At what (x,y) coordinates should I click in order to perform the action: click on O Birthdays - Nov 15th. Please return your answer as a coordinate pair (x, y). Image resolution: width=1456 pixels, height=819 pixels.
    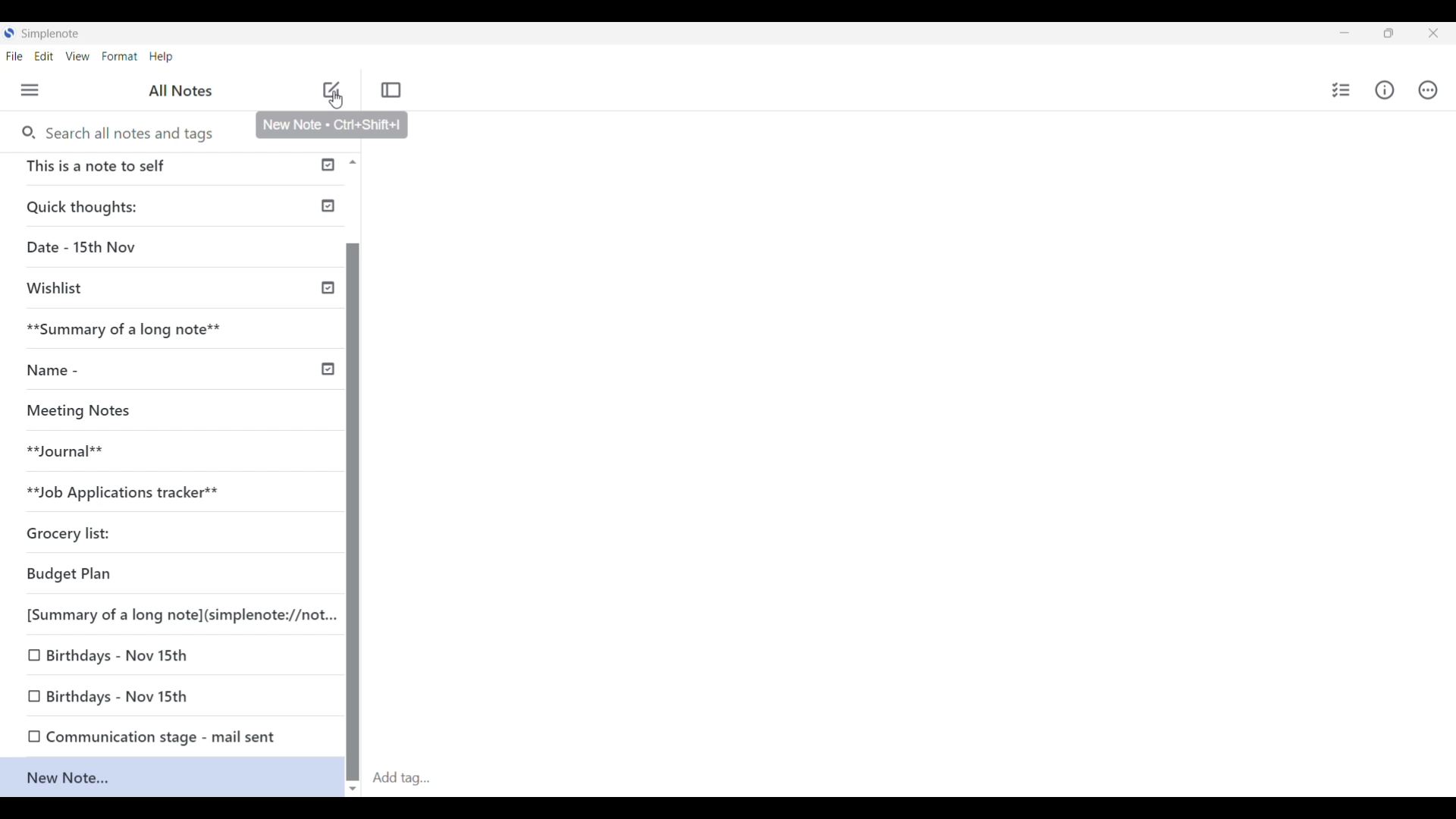
    Looking at the image, I should click on (113, 693).